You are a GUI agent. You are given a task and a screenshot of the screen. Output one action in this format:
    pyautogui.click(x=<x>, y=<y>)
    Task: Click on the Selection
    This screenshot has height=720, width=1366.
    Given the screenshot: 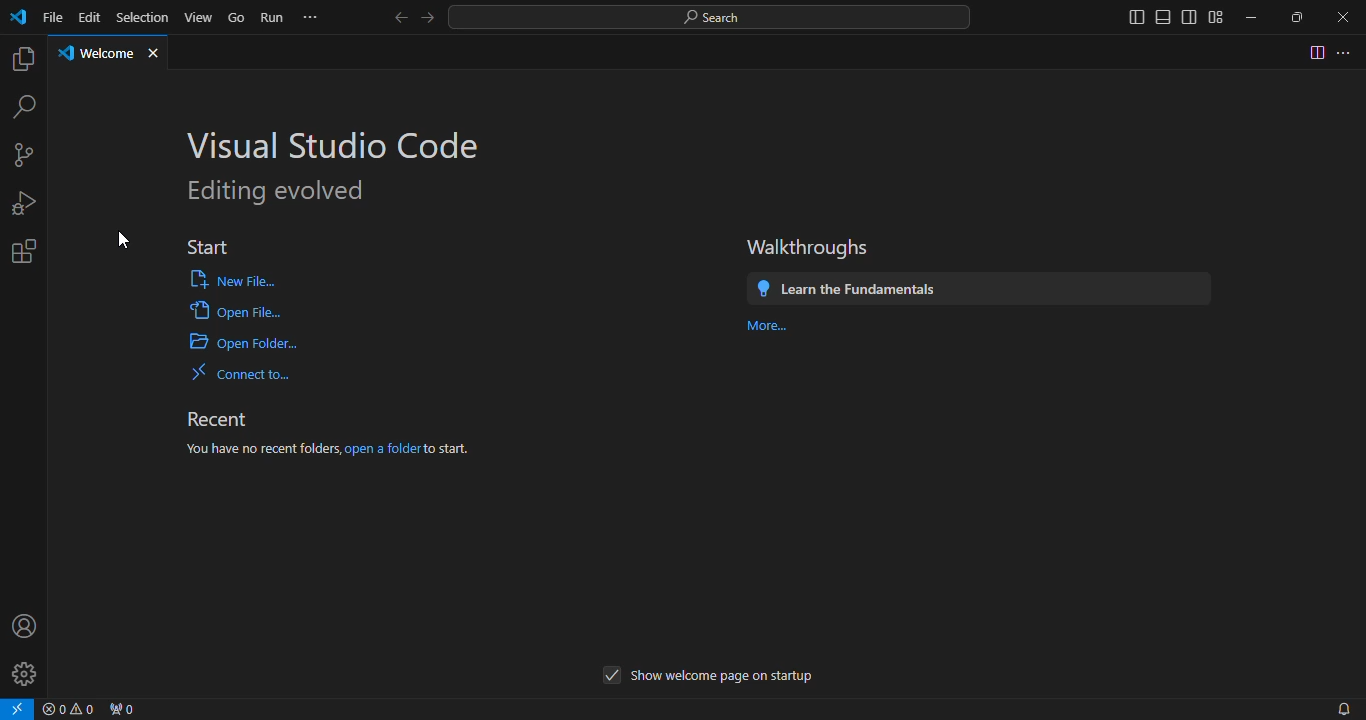 What is the action you would take?
    pyautogui.click(x=144, y=16)
    